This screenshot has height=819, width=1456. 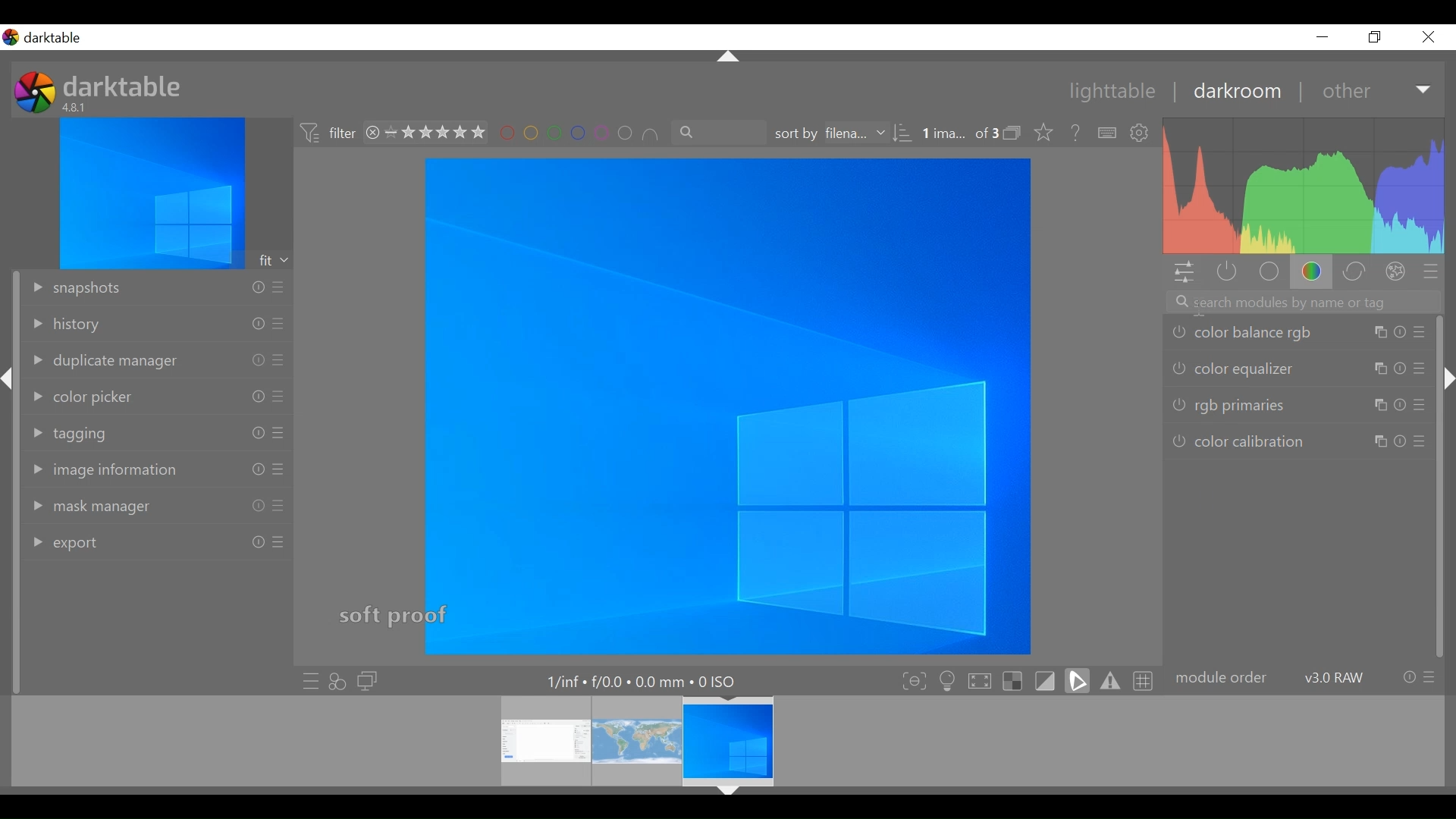 I want to click on presets, so click(x=1430, y=677).